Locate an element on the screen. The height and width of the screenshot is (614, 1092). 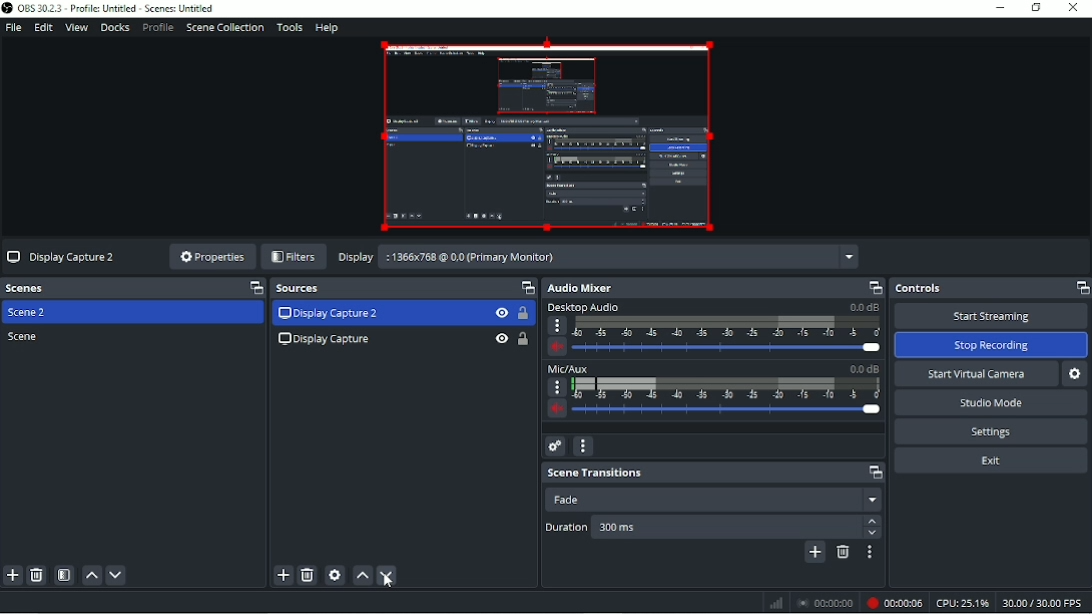
Start streaming is located at coordinates (990, 316).